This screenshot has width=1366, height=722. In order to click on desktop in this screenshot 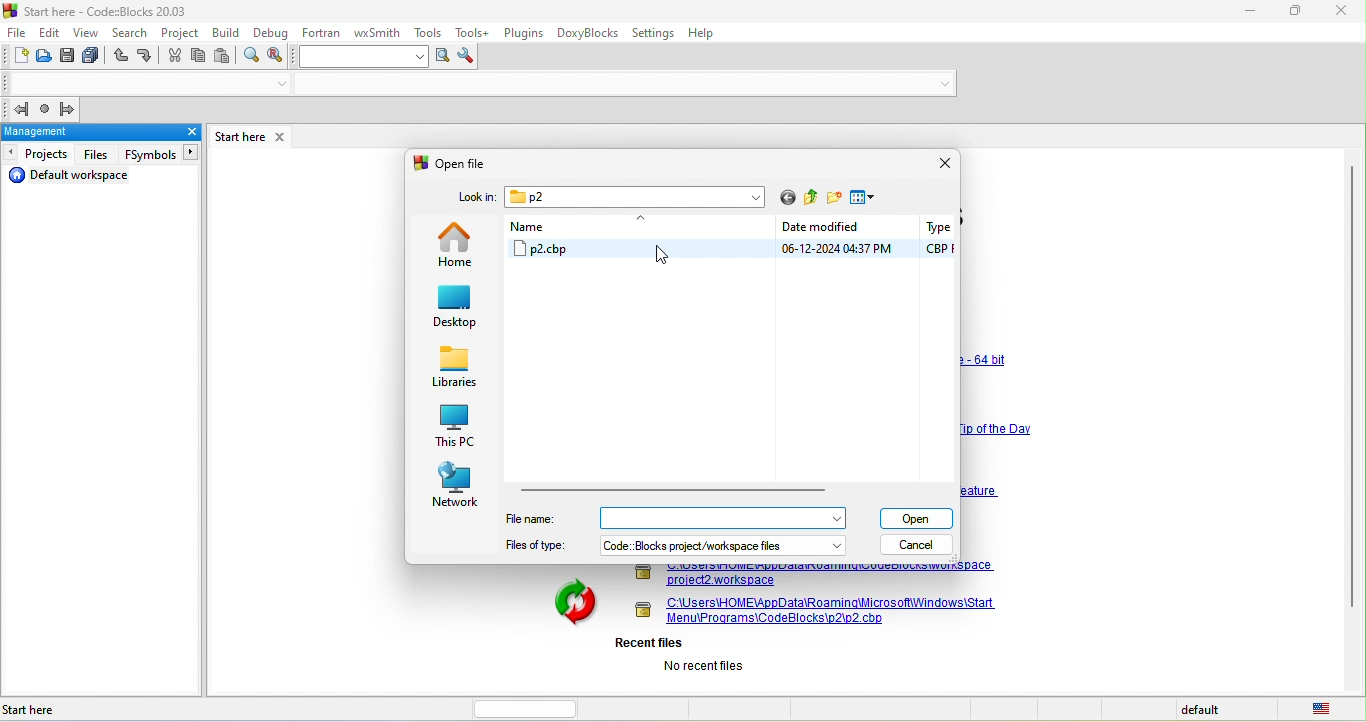, I will do `click(460, 310)`.